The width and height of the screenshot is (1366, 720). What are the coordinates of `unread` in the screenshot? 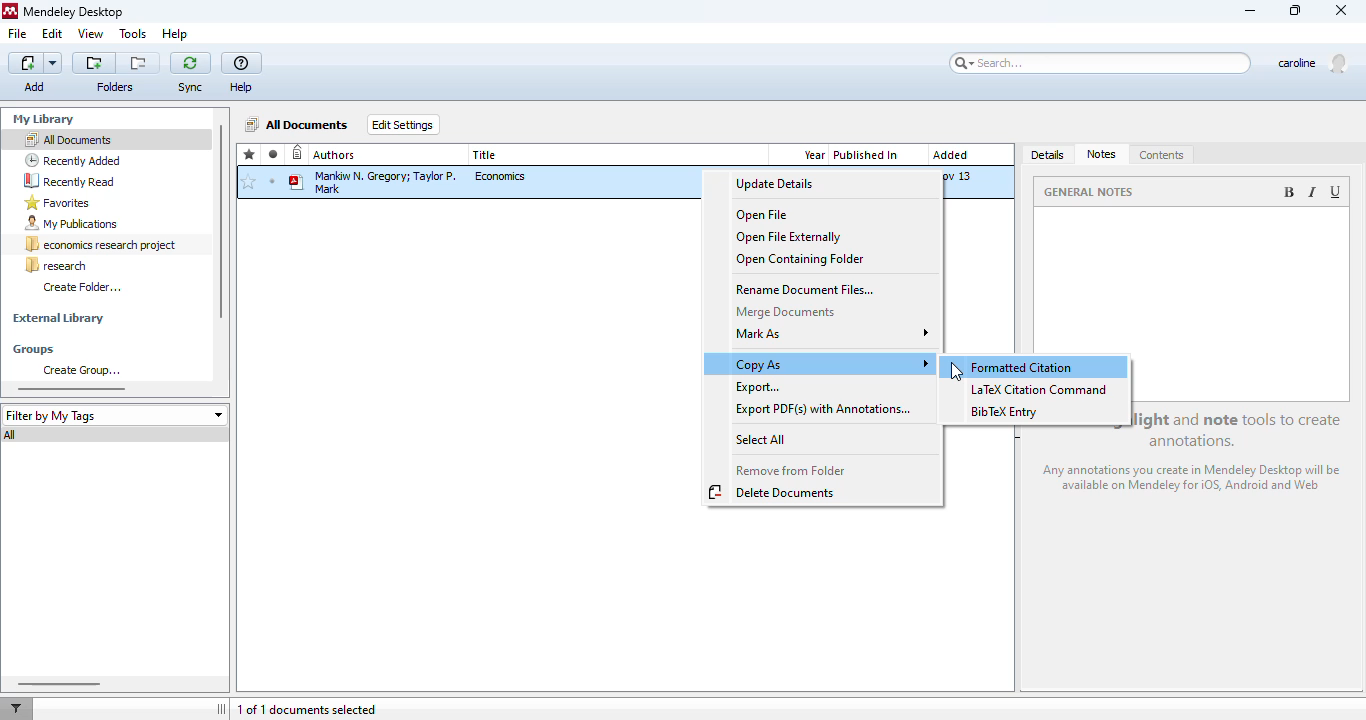 It's located at (272, 181).